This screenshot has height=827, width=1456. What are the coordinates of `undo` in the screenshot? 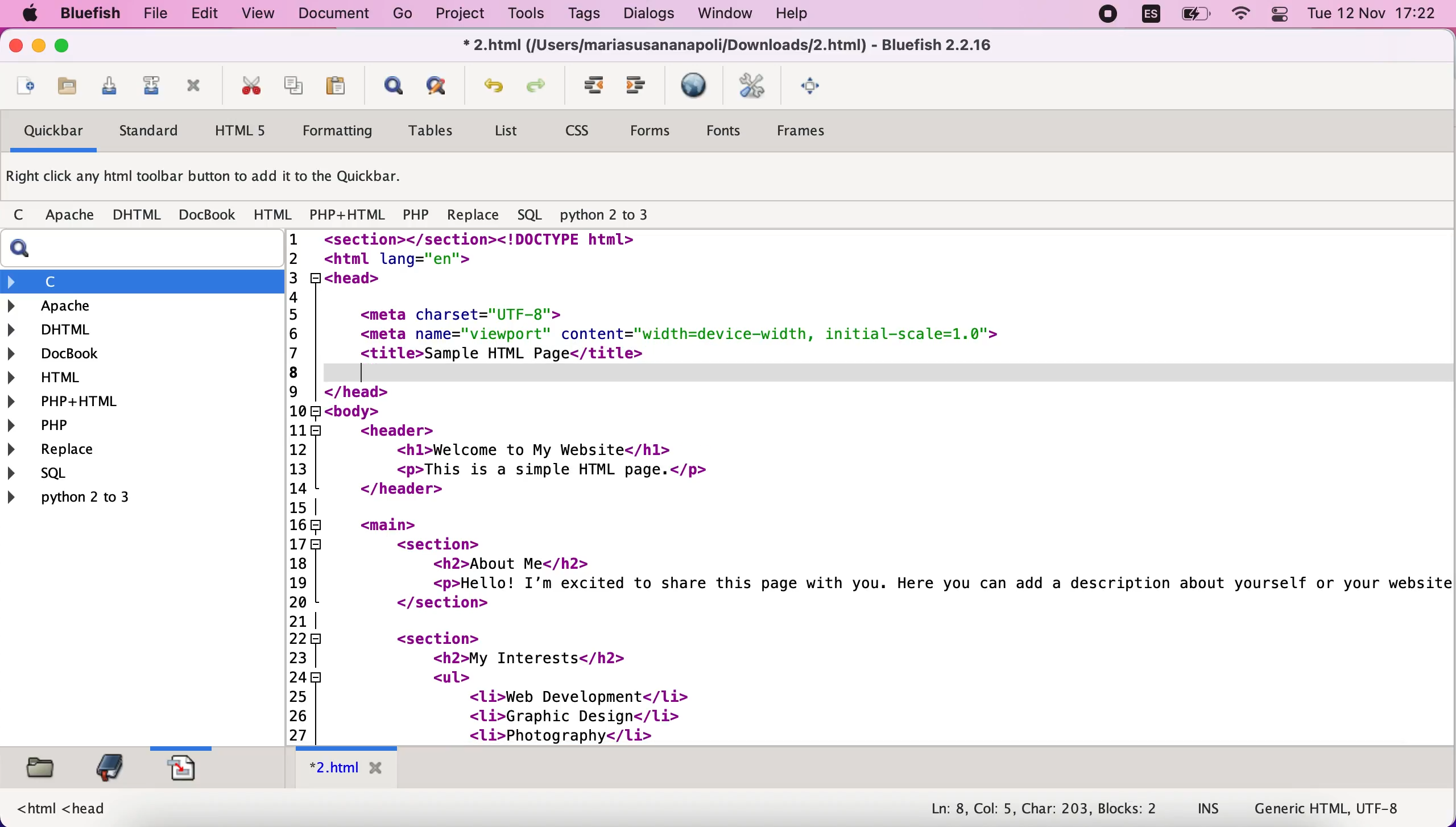 It's located at (494, 83).